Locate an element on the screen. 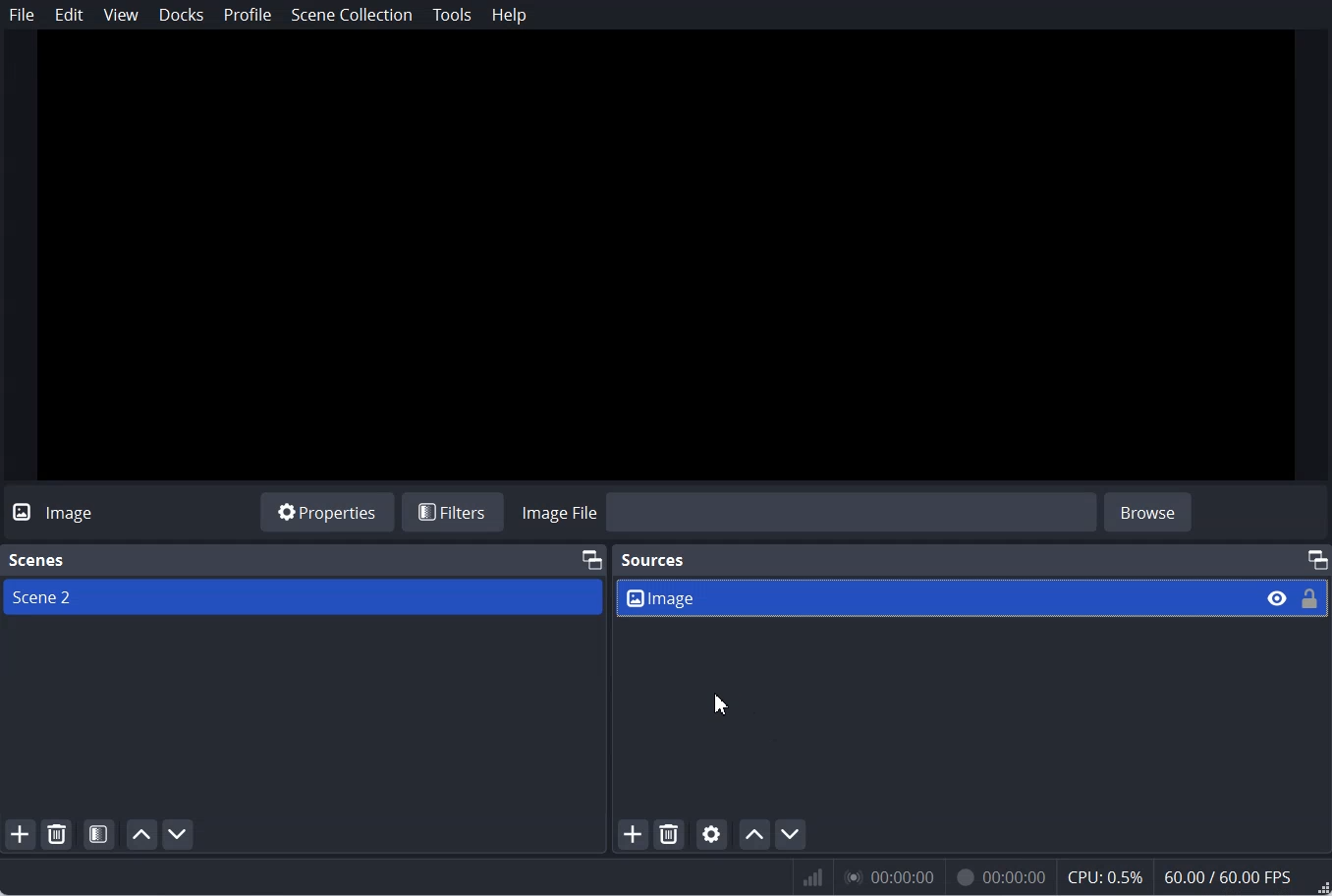 The width and height of the screenshot is (1332, 896). Move source up is located at coordinates (754, 834).